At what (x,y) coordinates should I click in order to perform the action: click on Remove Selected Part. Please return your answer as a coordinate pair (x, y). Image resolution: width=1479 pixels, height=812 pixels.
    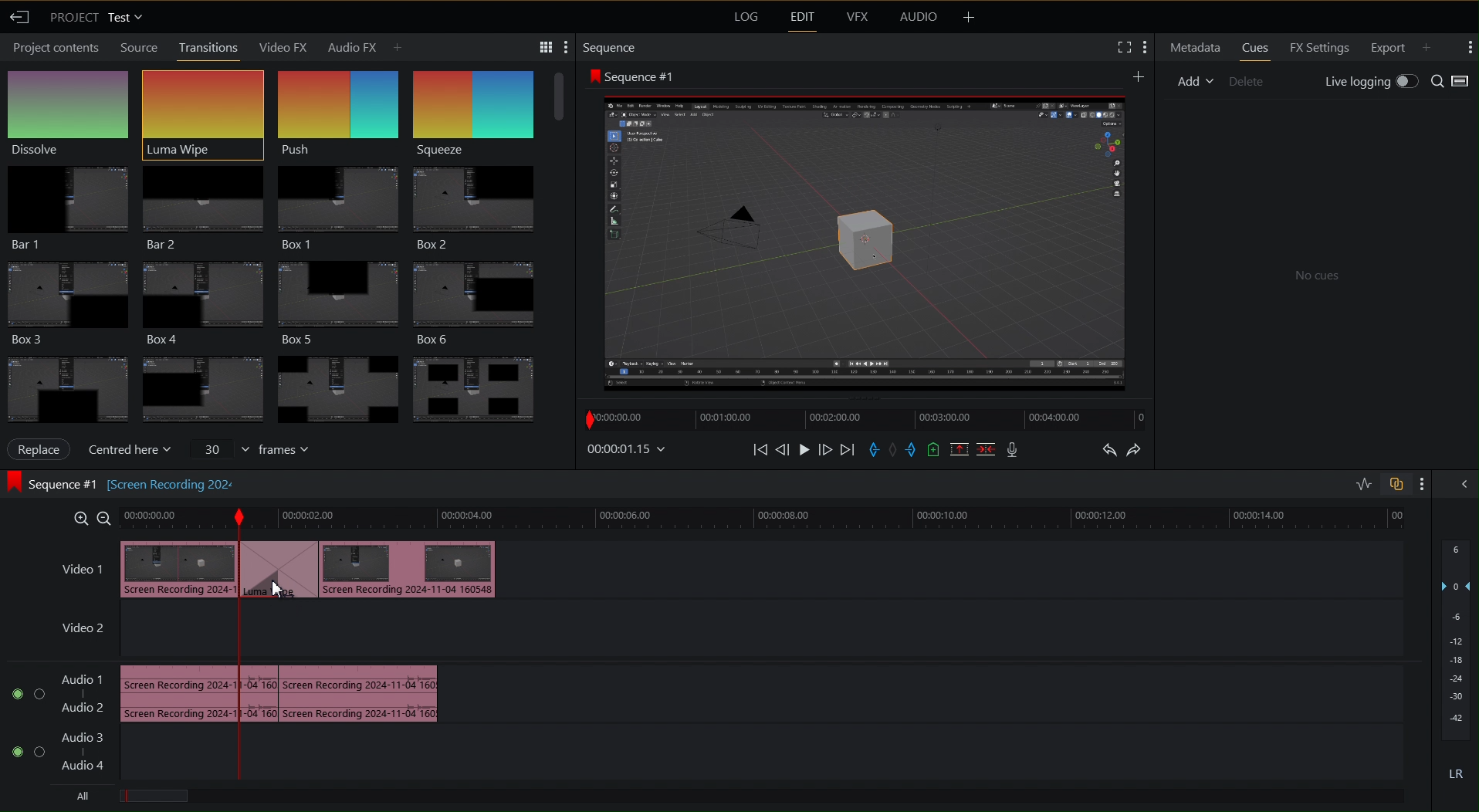
    Looking at the image, I should click on (960, 449).